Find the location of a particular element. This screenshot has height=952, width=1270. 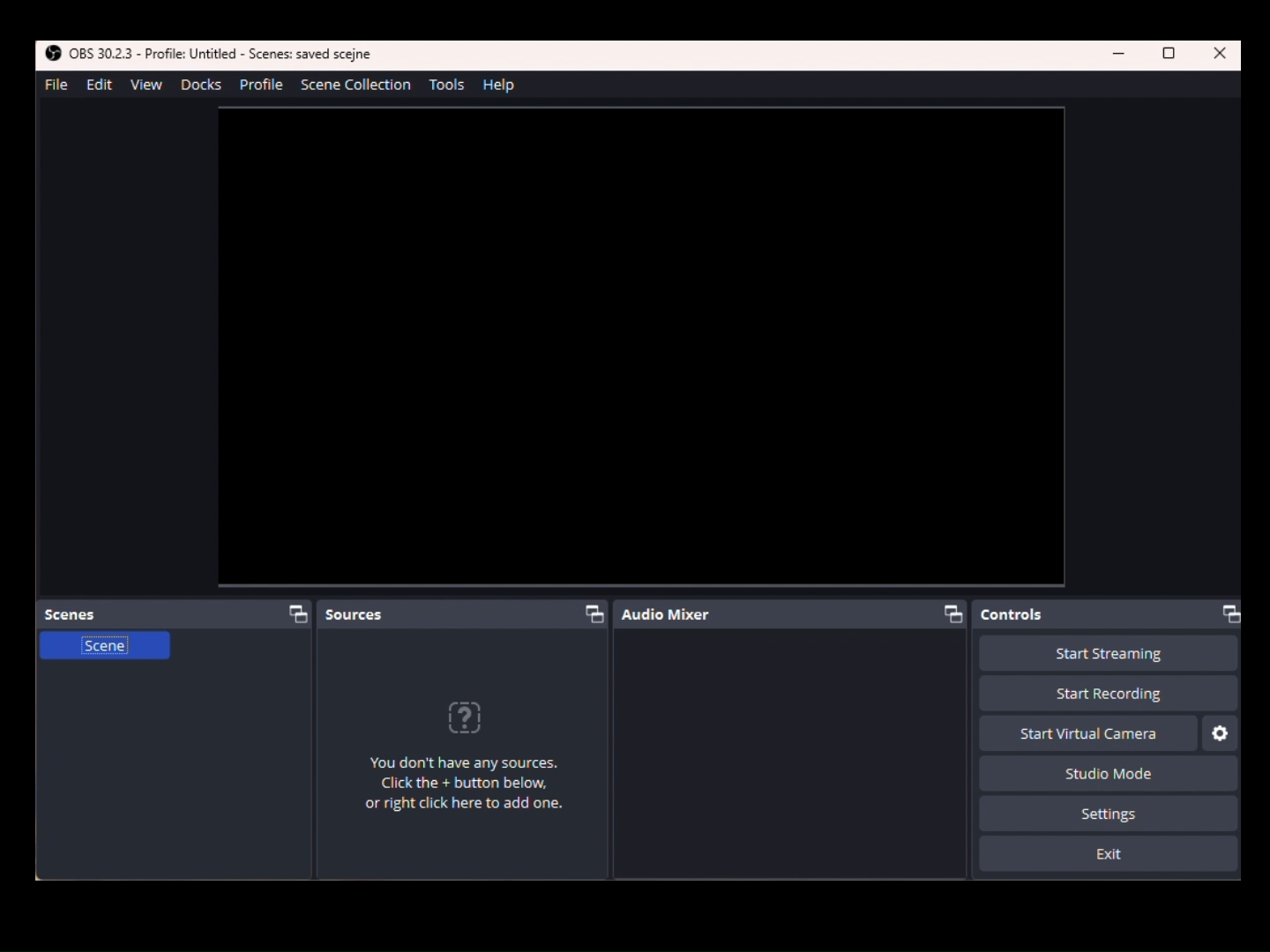

SceneCollection is located at coordinates (361, 87).